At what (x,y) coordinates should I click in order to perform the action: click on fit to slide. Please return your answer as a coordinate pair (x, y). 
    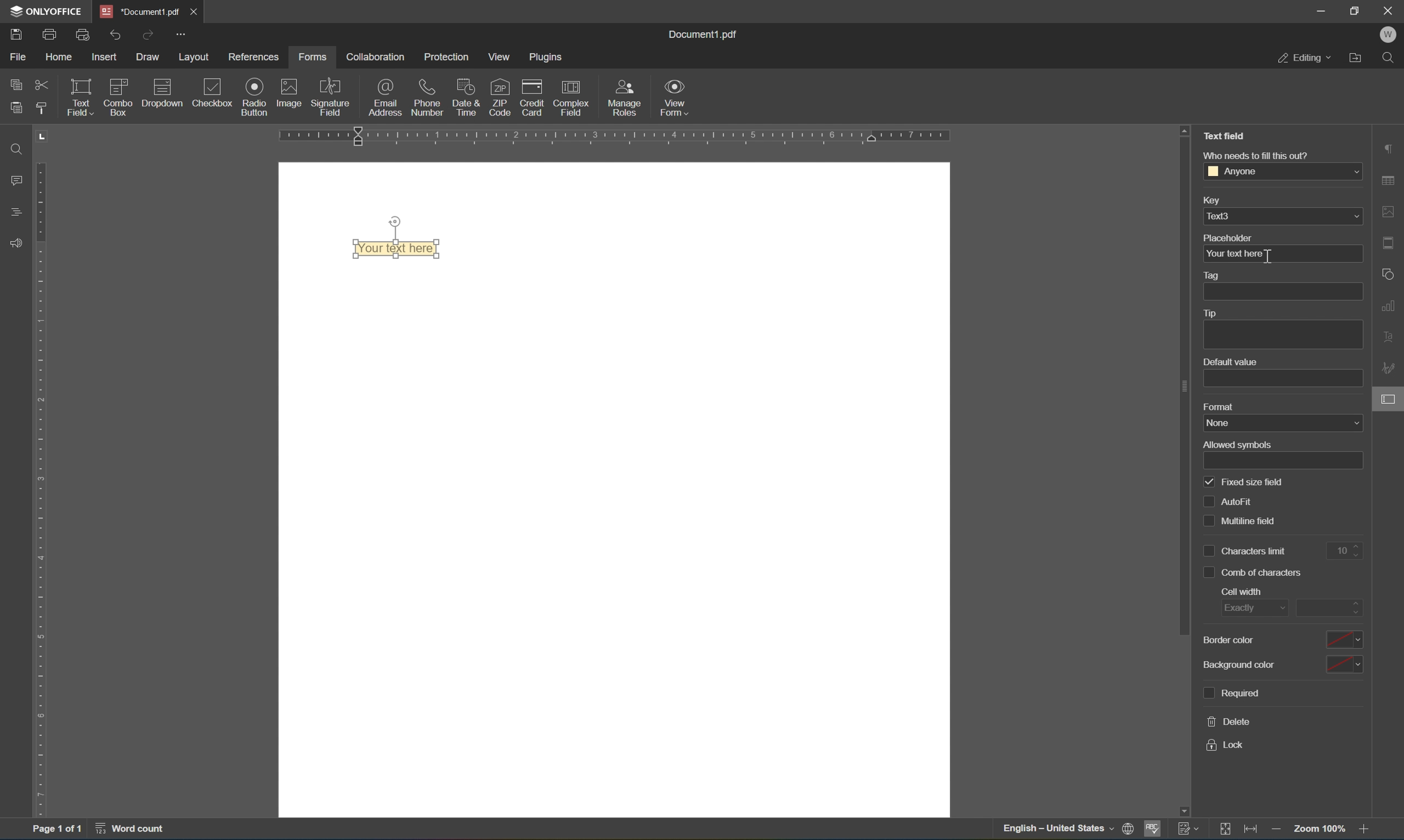
    Looking at the image, I should click on (1226, 830).